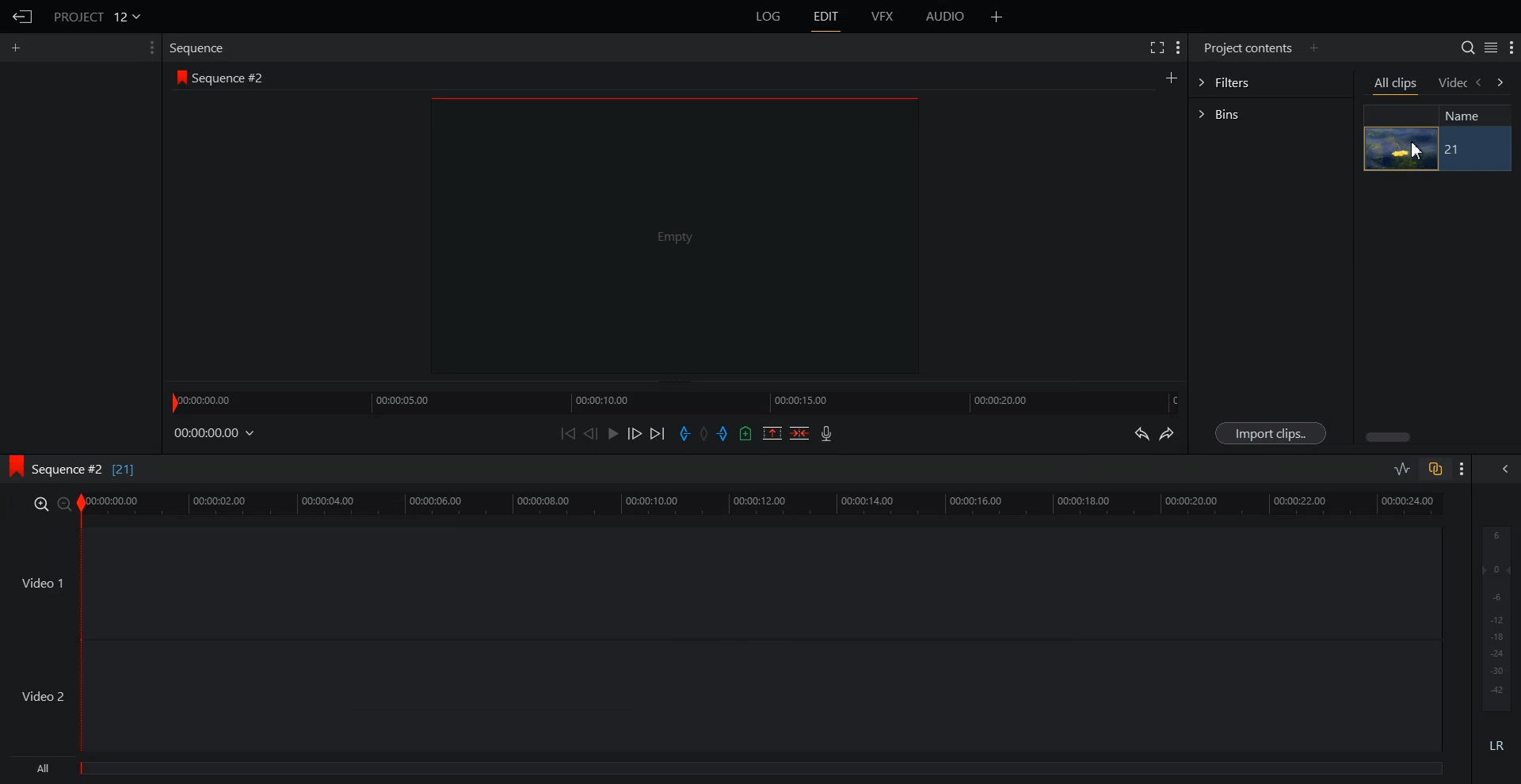 This screenshot has height=784, width=1521. I want to click on Bins, so click(1271, 112).